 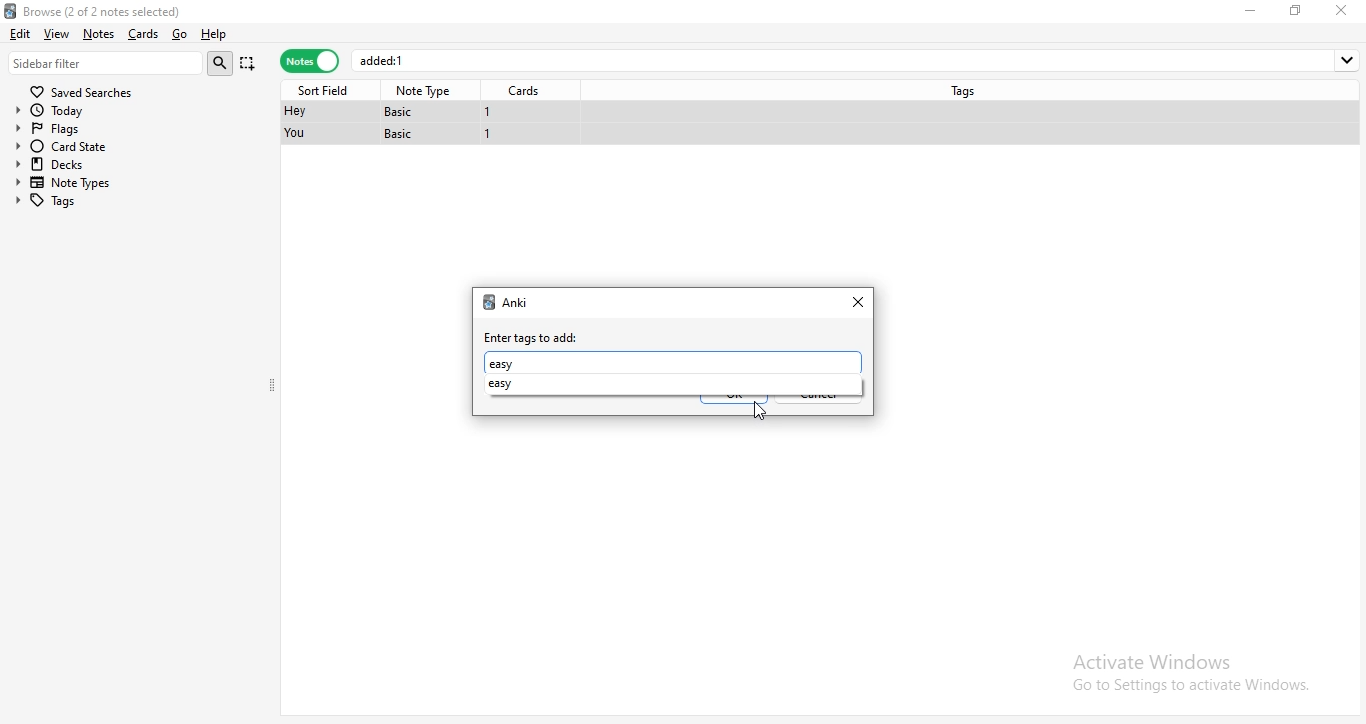 I want to click on saves searches, so click(x=85, y=89).